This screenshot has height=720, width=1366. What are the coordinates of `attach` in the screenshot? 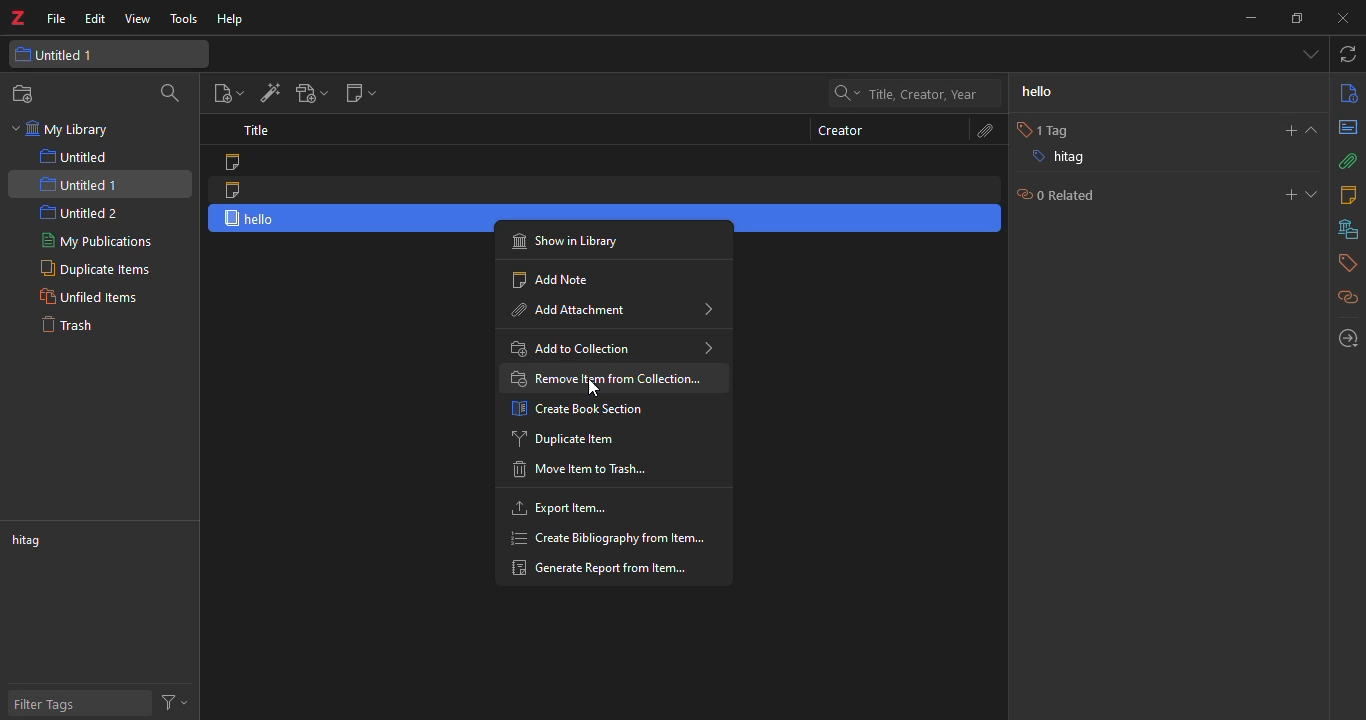 It's located at (977, 133).